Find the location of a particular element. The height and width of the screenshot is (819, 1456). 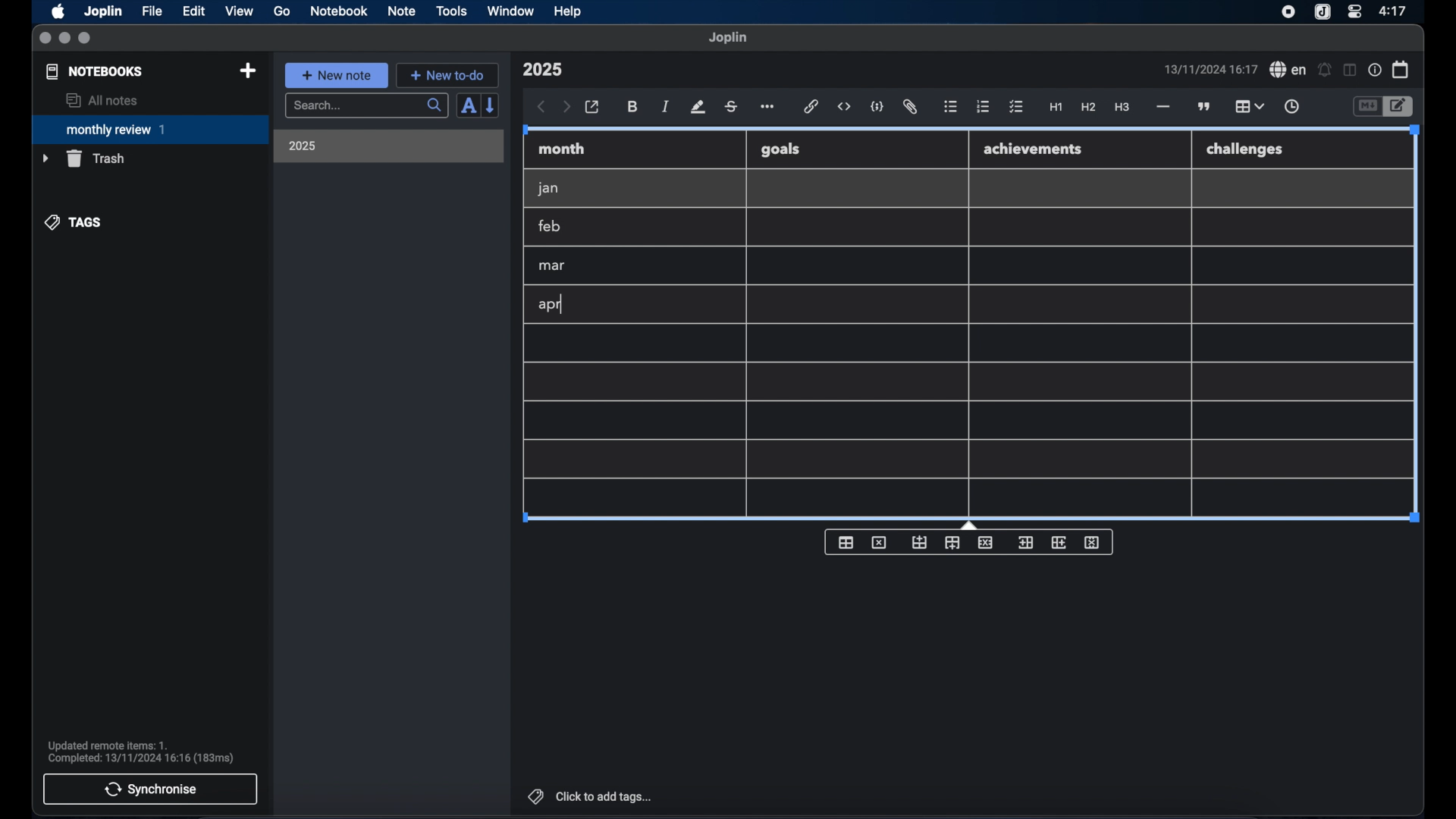

goals is located at coordinates (780, 149).